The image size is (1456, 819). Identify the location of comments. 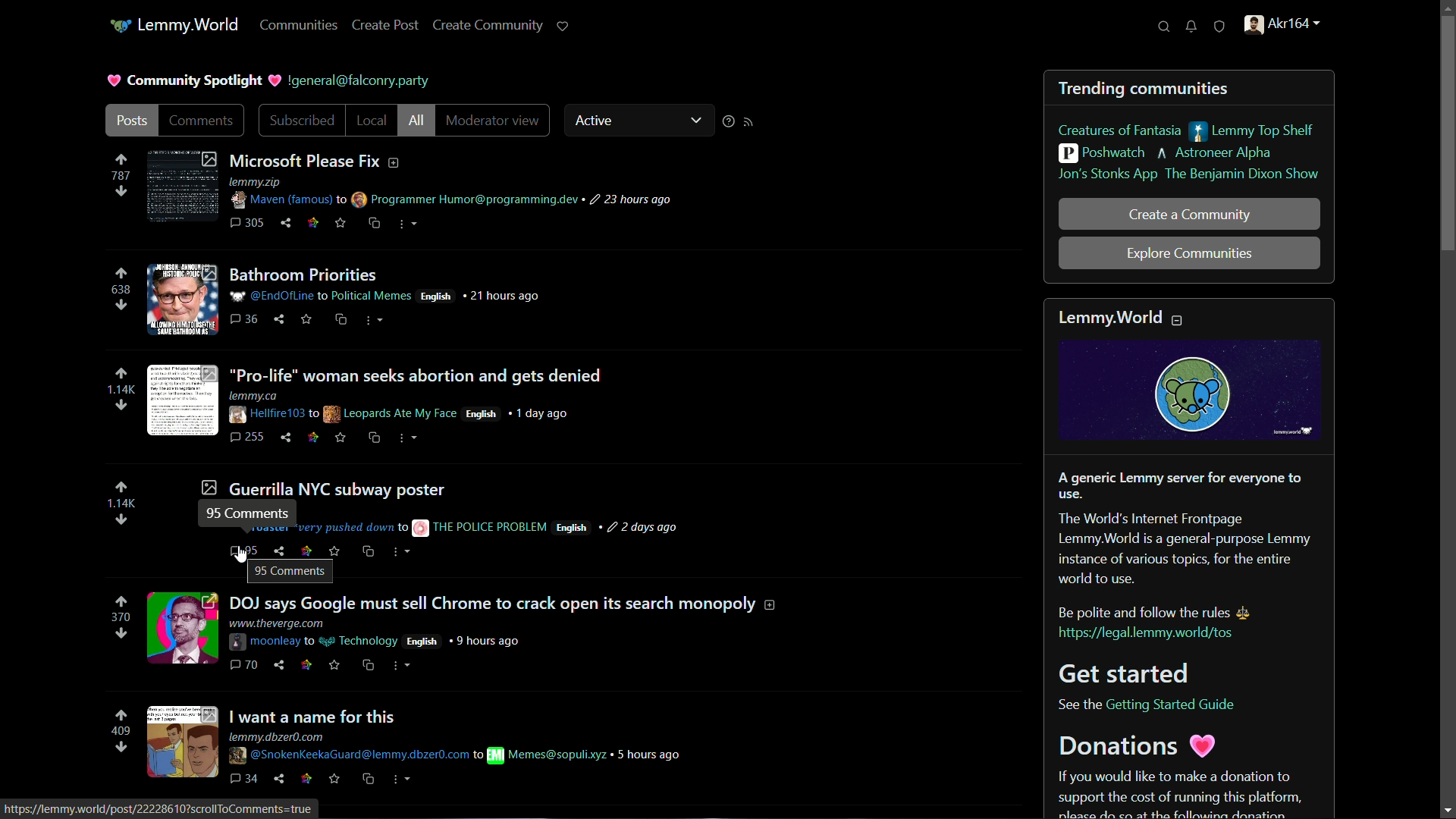
(248, 222).